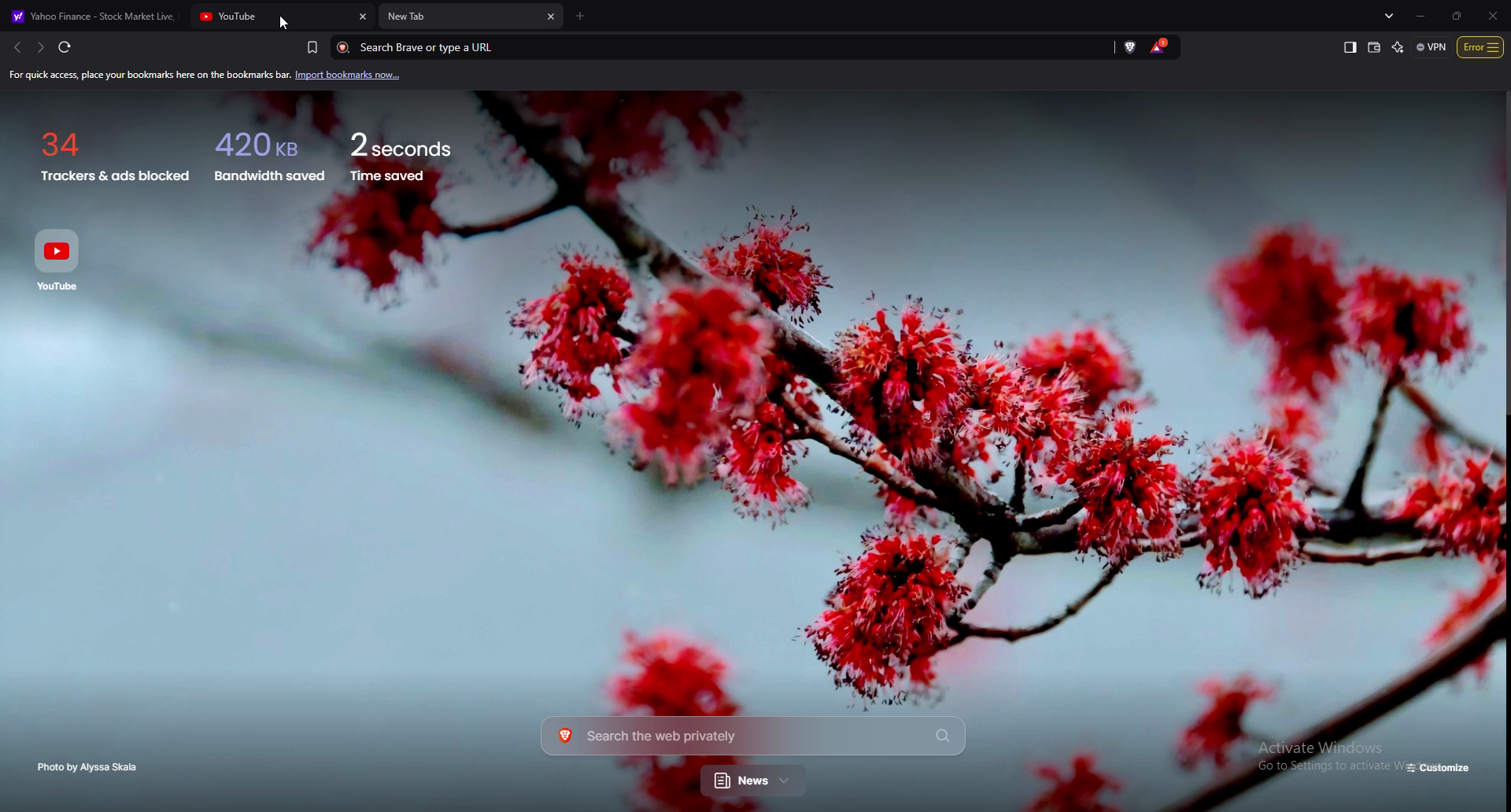  What do you see at coordinates (1493, 15) in the screenshot?
I see `close` at bounding box center [1493, 15].